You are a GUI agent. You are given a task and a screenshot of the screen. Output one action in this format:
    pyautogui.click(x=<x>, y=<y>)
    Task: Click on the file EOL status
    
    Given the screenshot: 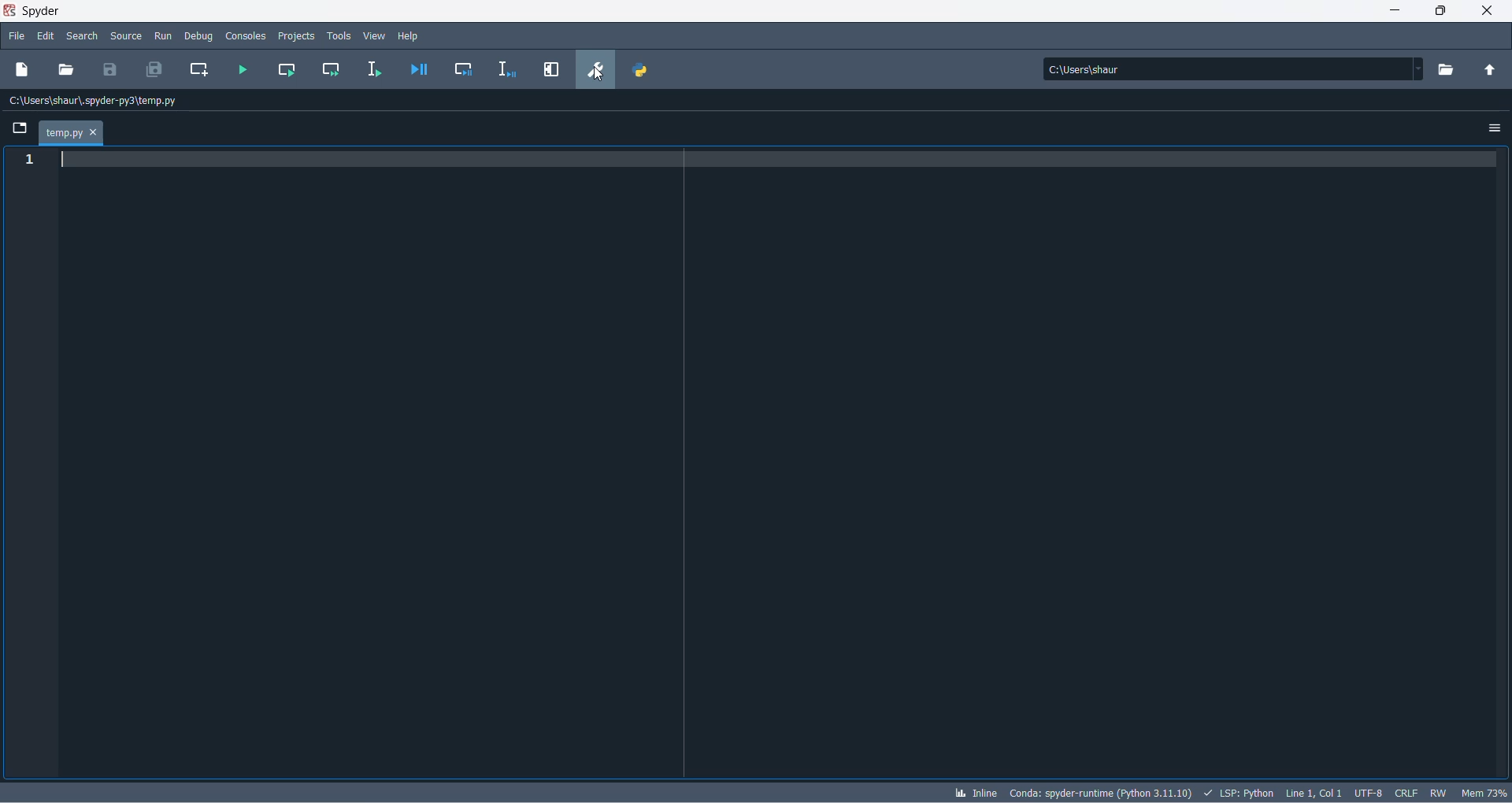 What is the action you would take?
    pyautogui.click(x=1406, y=791)
    